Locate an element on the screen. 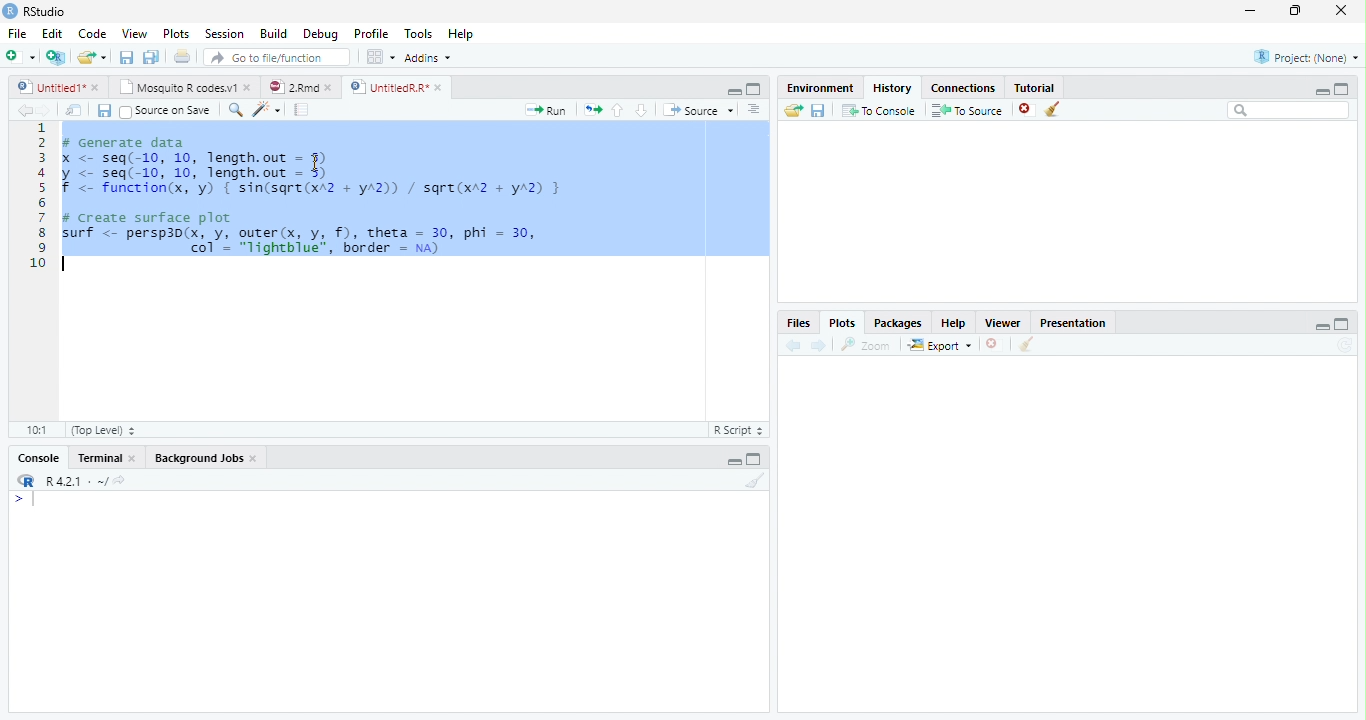  Tools is located at coordinates (416, 32).